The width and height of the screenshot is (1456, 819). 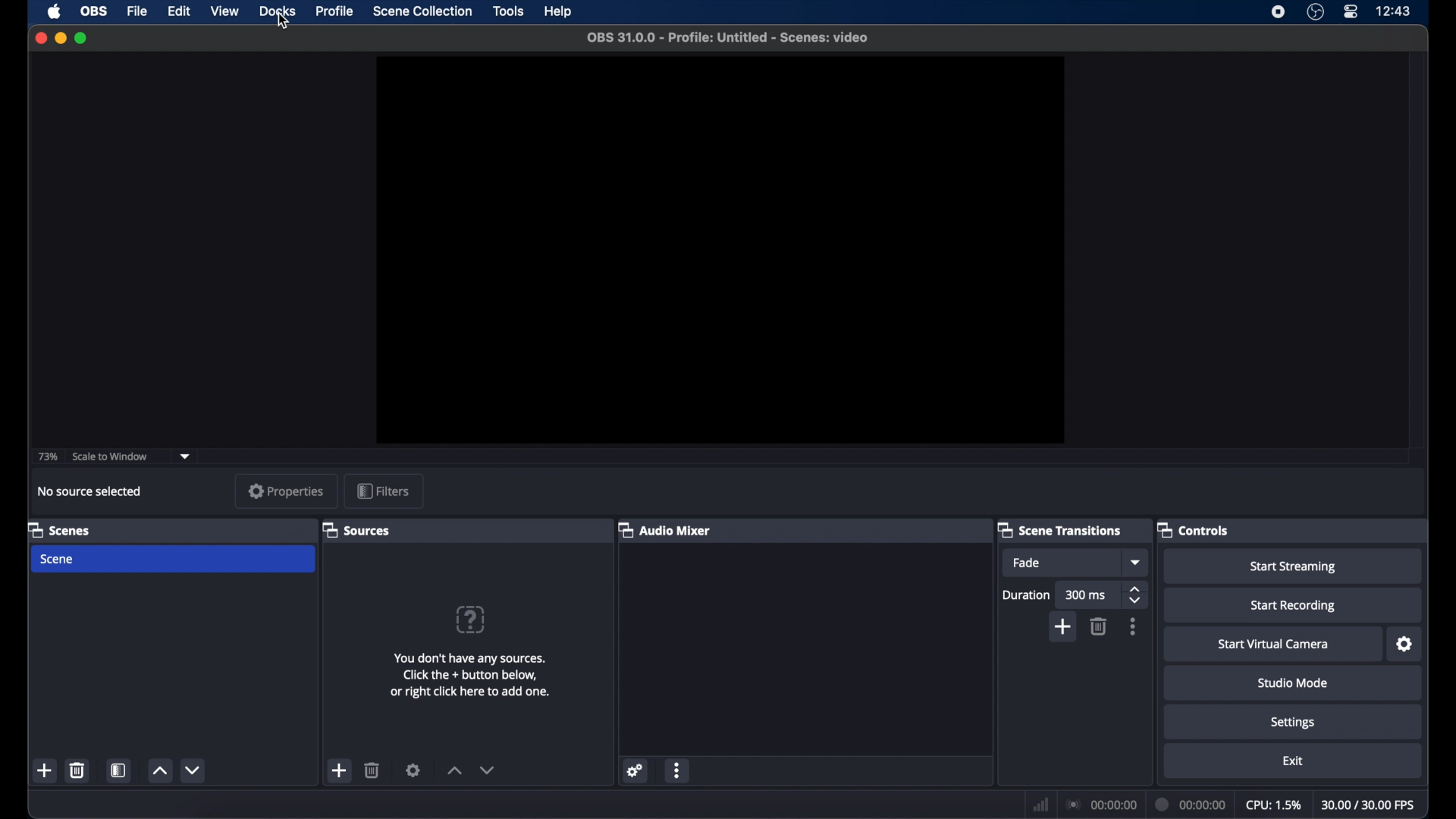 What do you see at coordinates (1193, 530) in the screenshot?
I see `controls` at bounding box center [1193, 530].